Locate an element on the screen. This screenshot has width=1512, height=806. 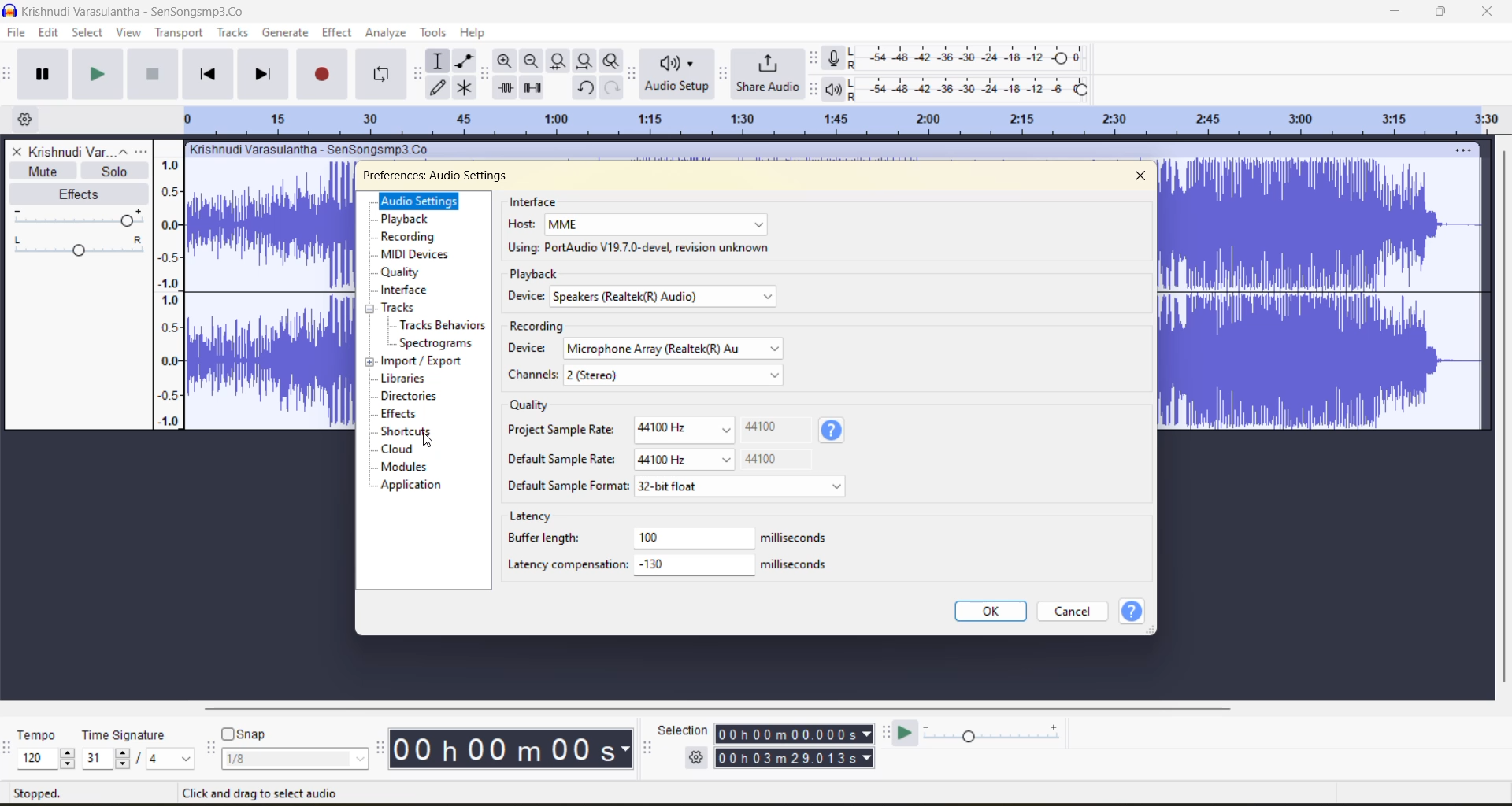
tracks is located at coordinates (236, 33).